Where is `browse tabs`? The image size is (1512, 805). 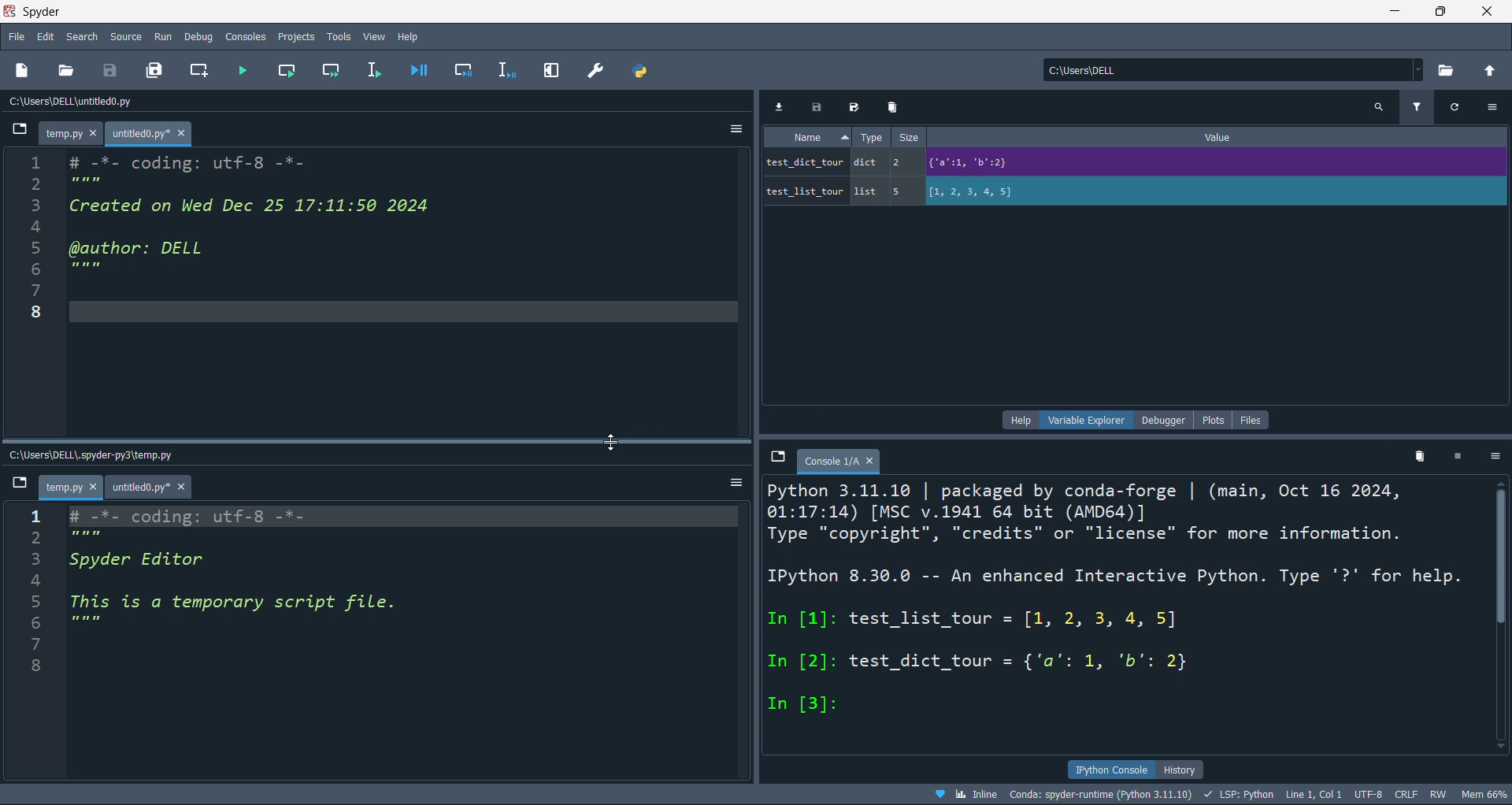
browse tabs is located at coordinates (13, 131).